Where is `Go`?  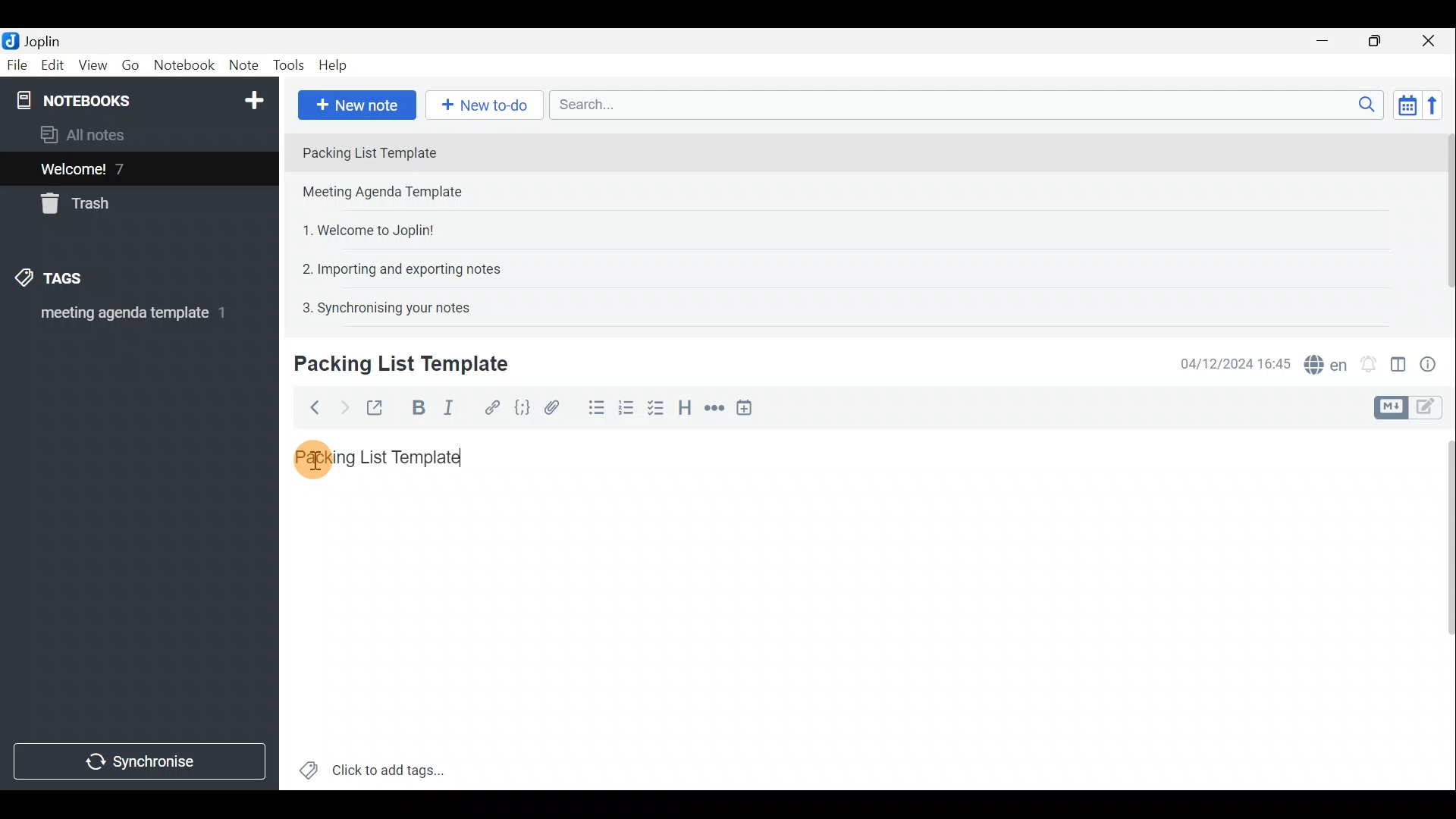 Go is located at coordinates (131, 65).